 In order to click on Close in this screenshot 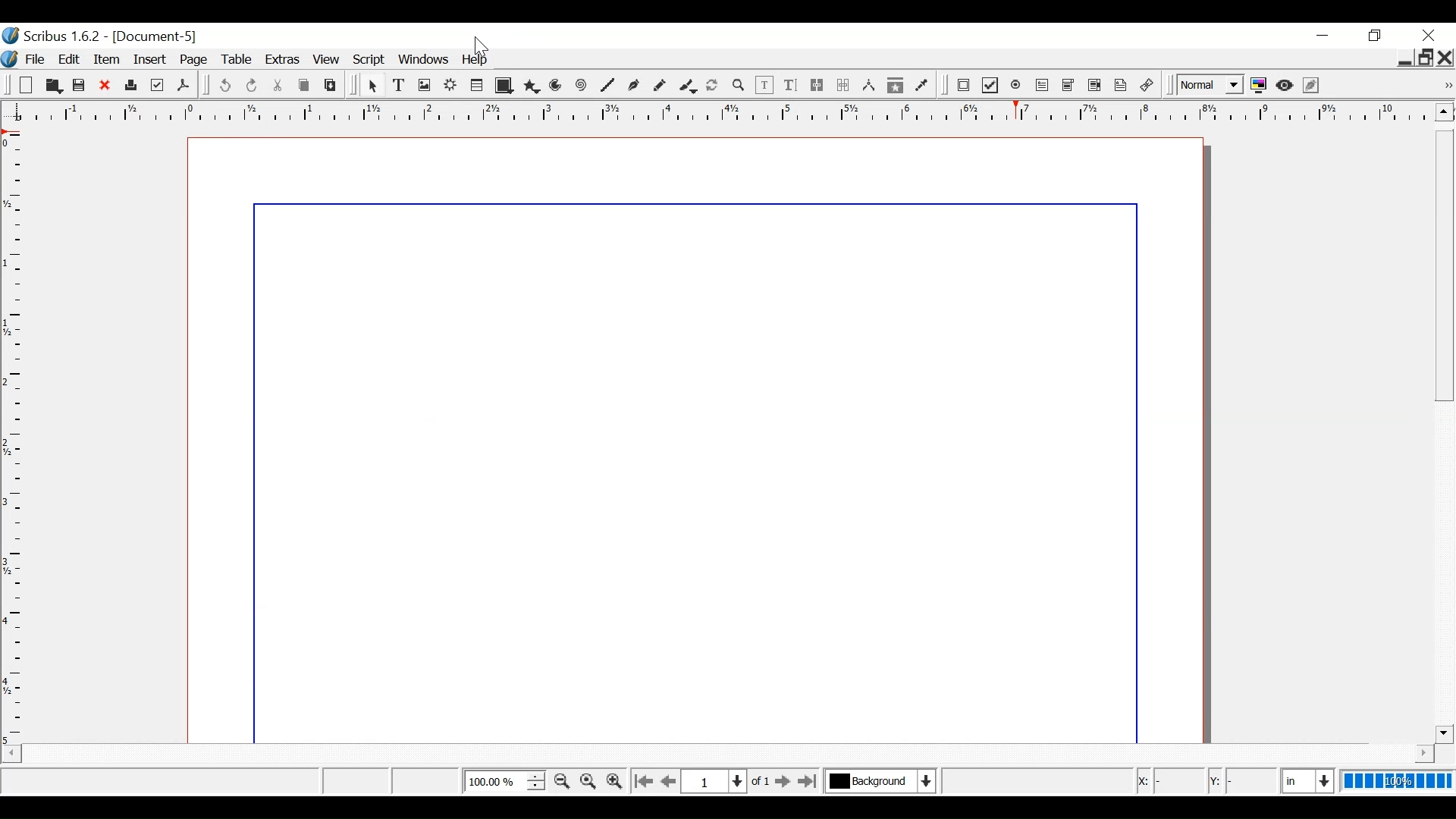, I will do `click(1428, 35)`.